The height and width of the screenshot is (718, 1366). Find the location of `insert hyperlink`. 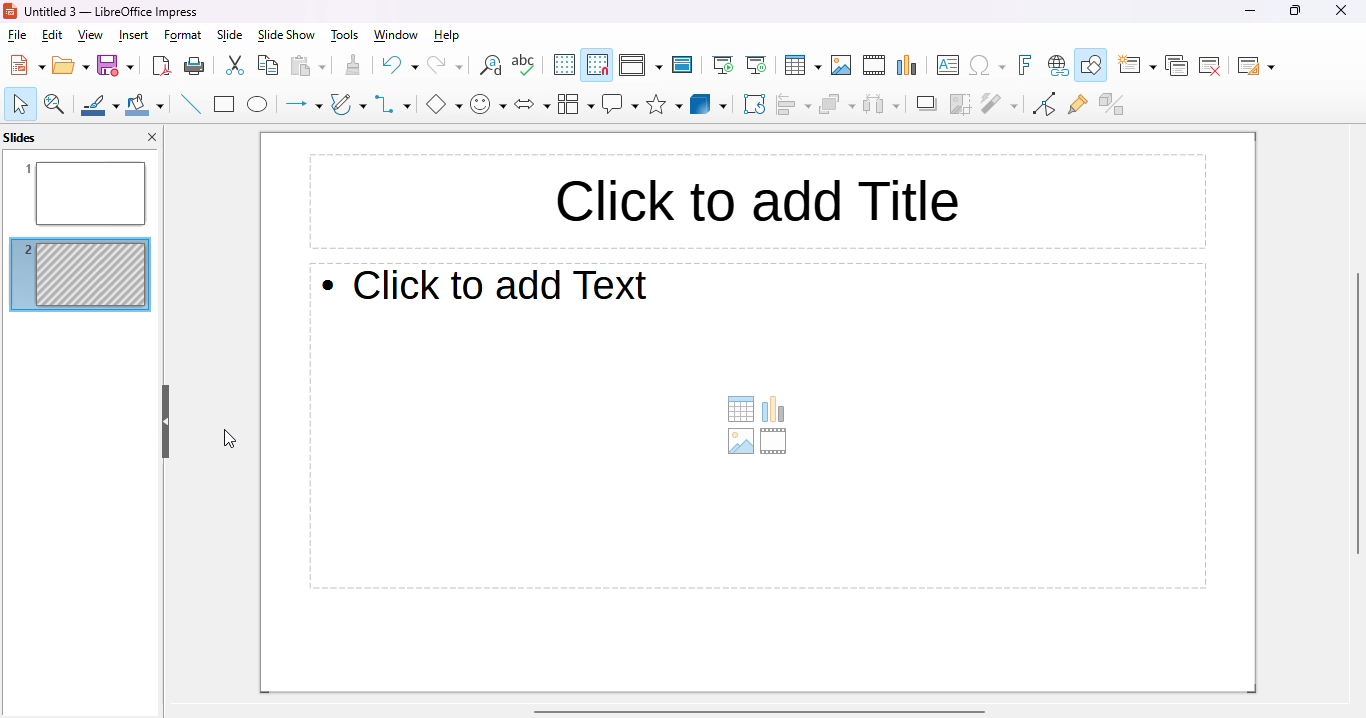

insert hyperlink is located at coordinates (1058, 66).